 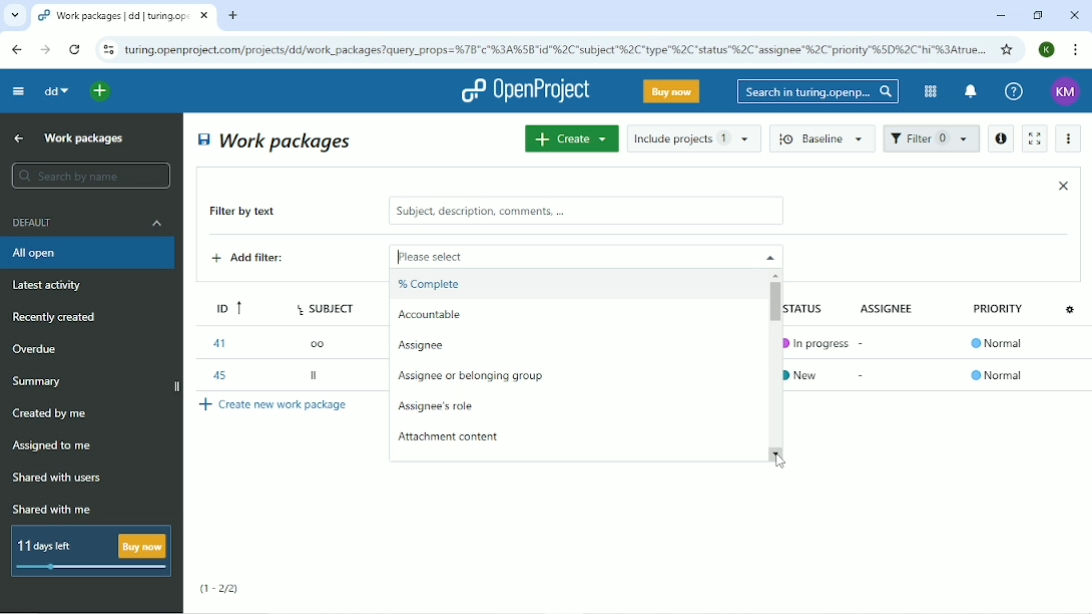 I want to click on Search, so click(x=818, y=91).